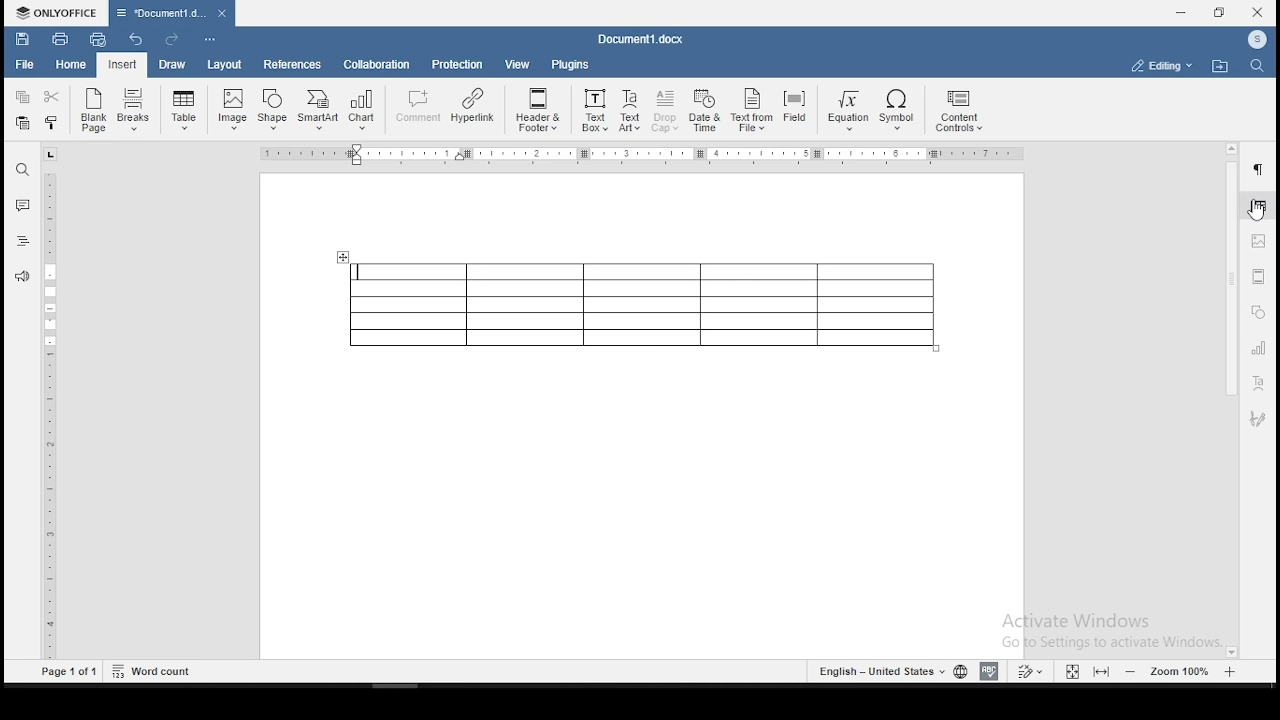 The image size is (1280, 720). What do you see at coordinates (27, 66) in the screenshot?
I see `file` at bounding box center [27, 66].